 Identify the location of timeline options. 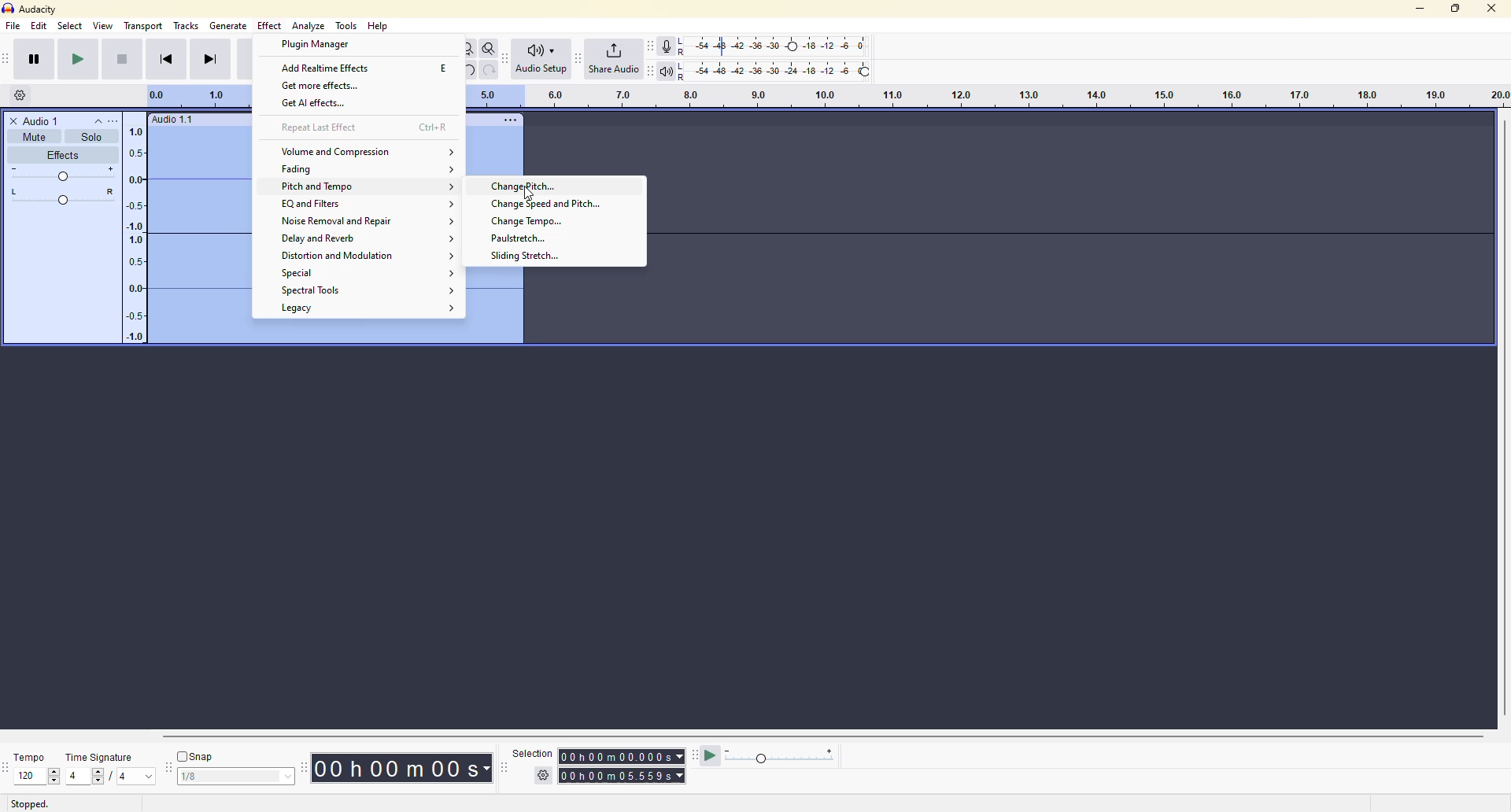
(20, 94).